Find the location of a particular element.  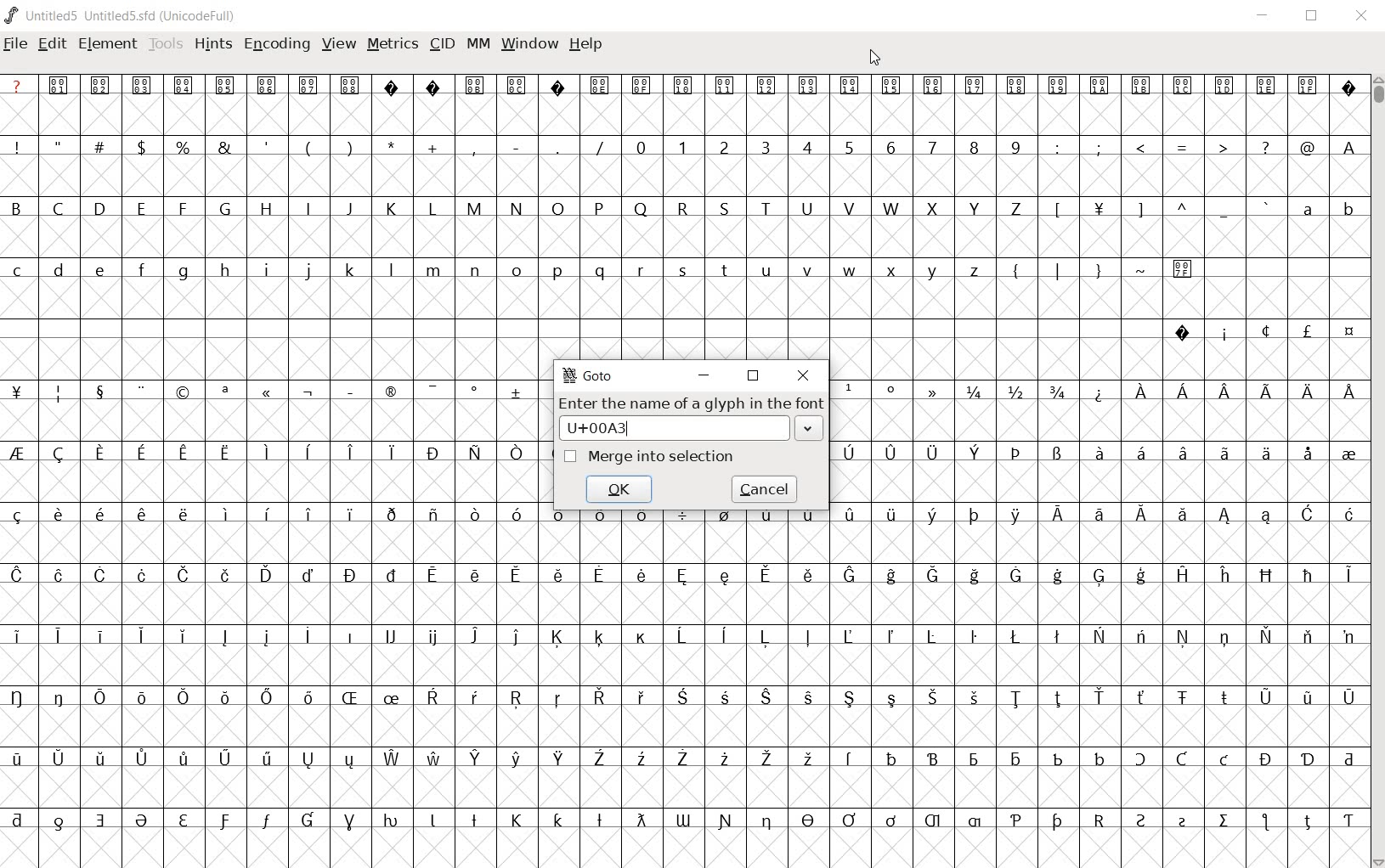

Symbol is located at coordinates (1184, 268).